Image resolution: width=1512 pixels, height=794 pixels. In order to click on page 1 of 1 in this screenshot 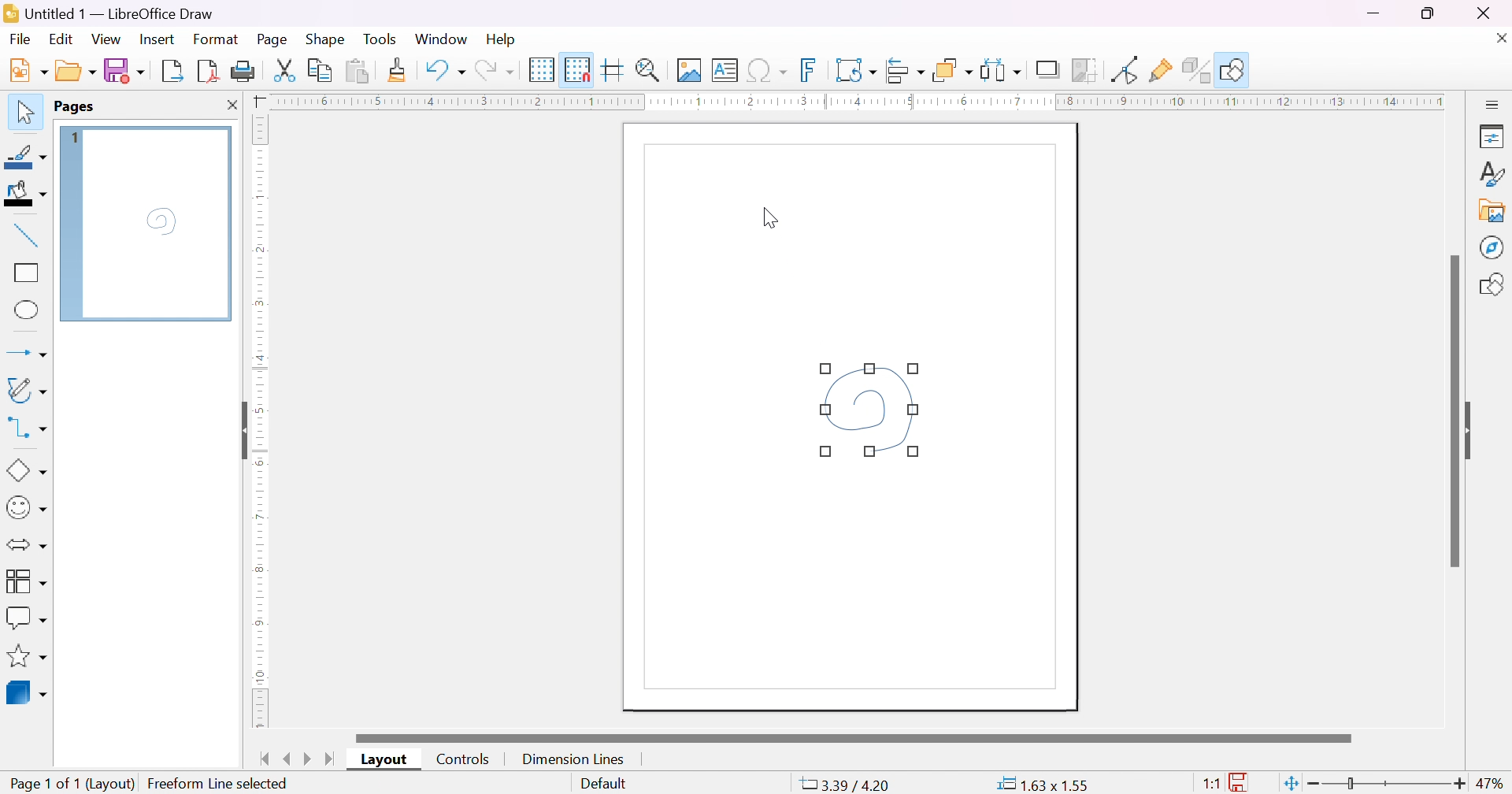, I will do `click(43, 783)`.